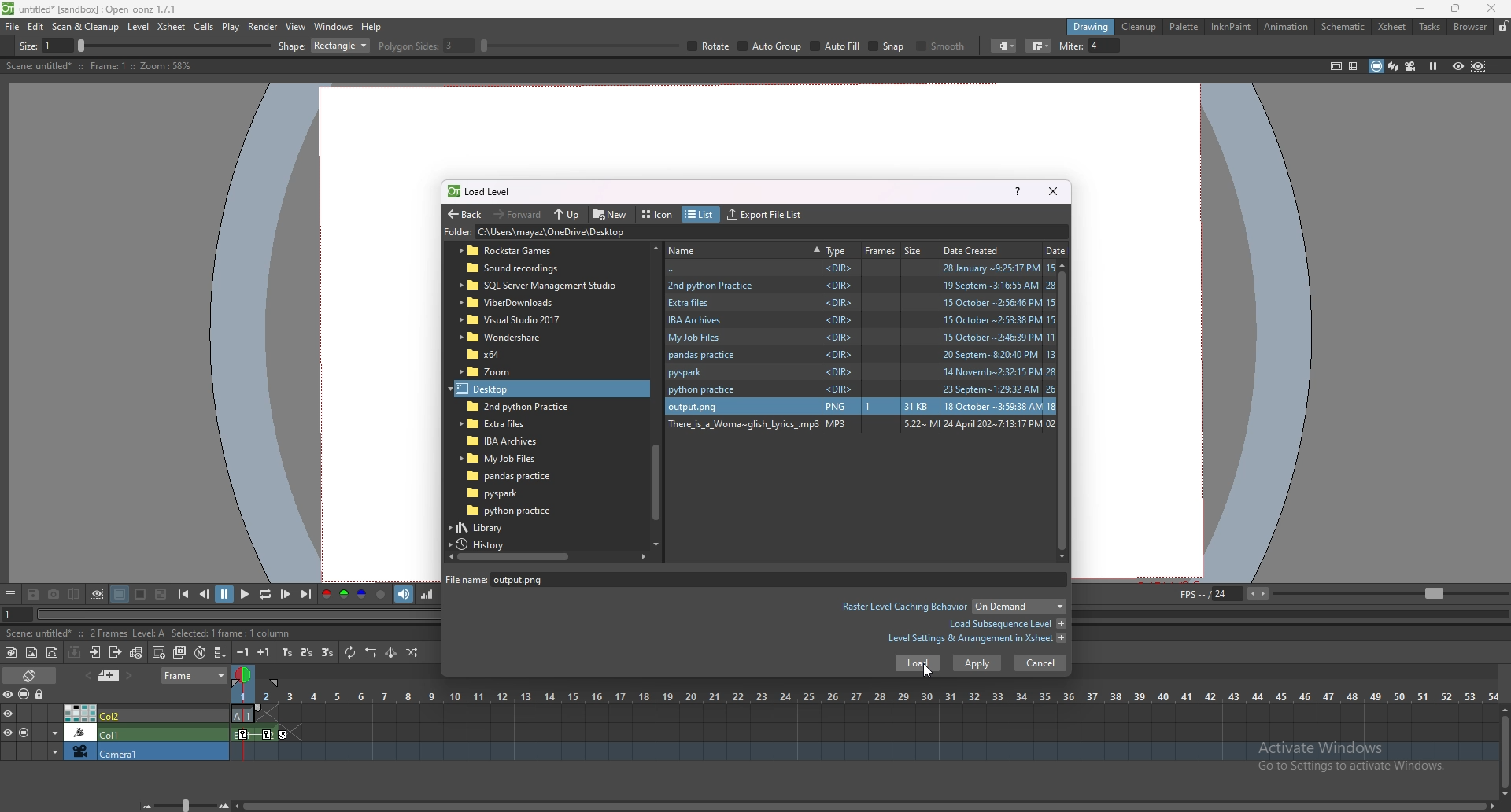  I want to click on list, so click(699, 215).